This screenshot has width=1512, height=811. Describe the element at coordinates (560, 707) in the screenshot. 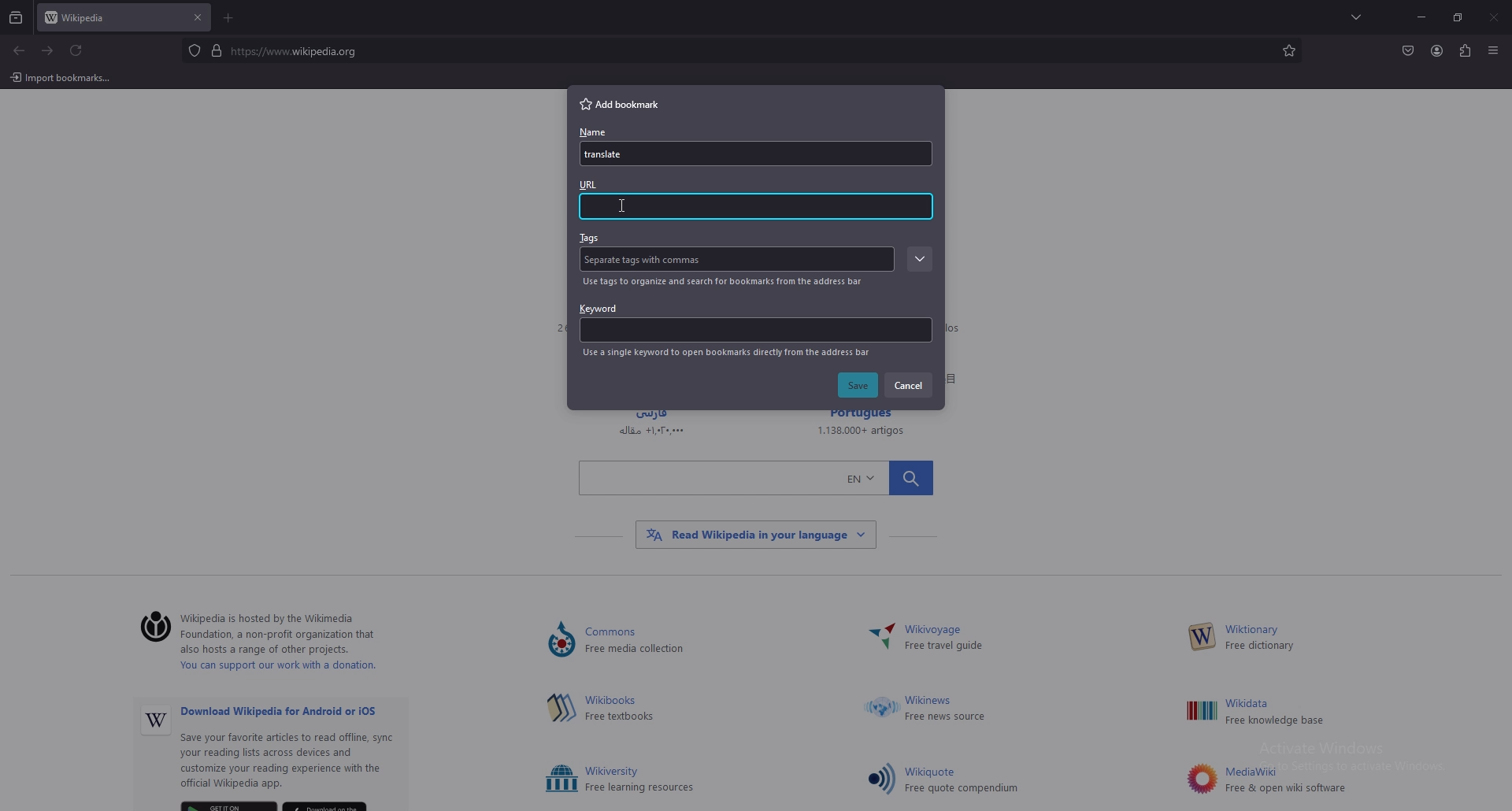

I see `` at that location.